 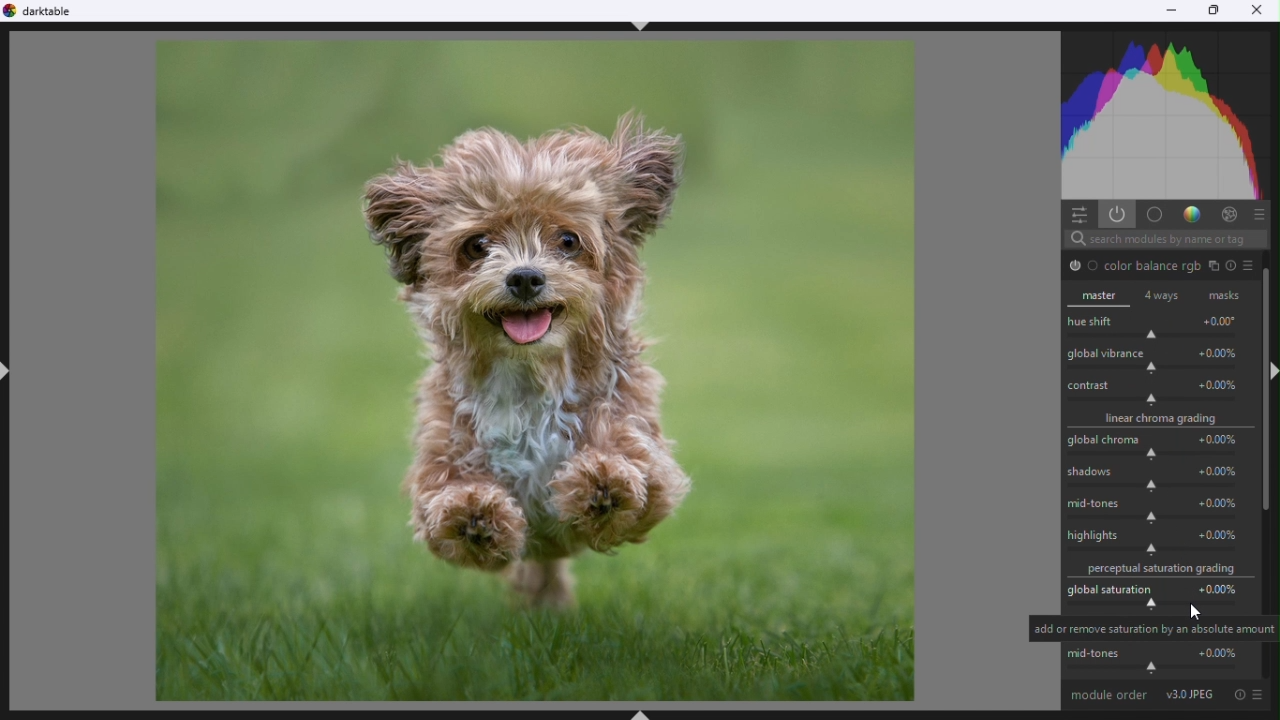 I want to click on Masks, so click(x=1223, y=293).